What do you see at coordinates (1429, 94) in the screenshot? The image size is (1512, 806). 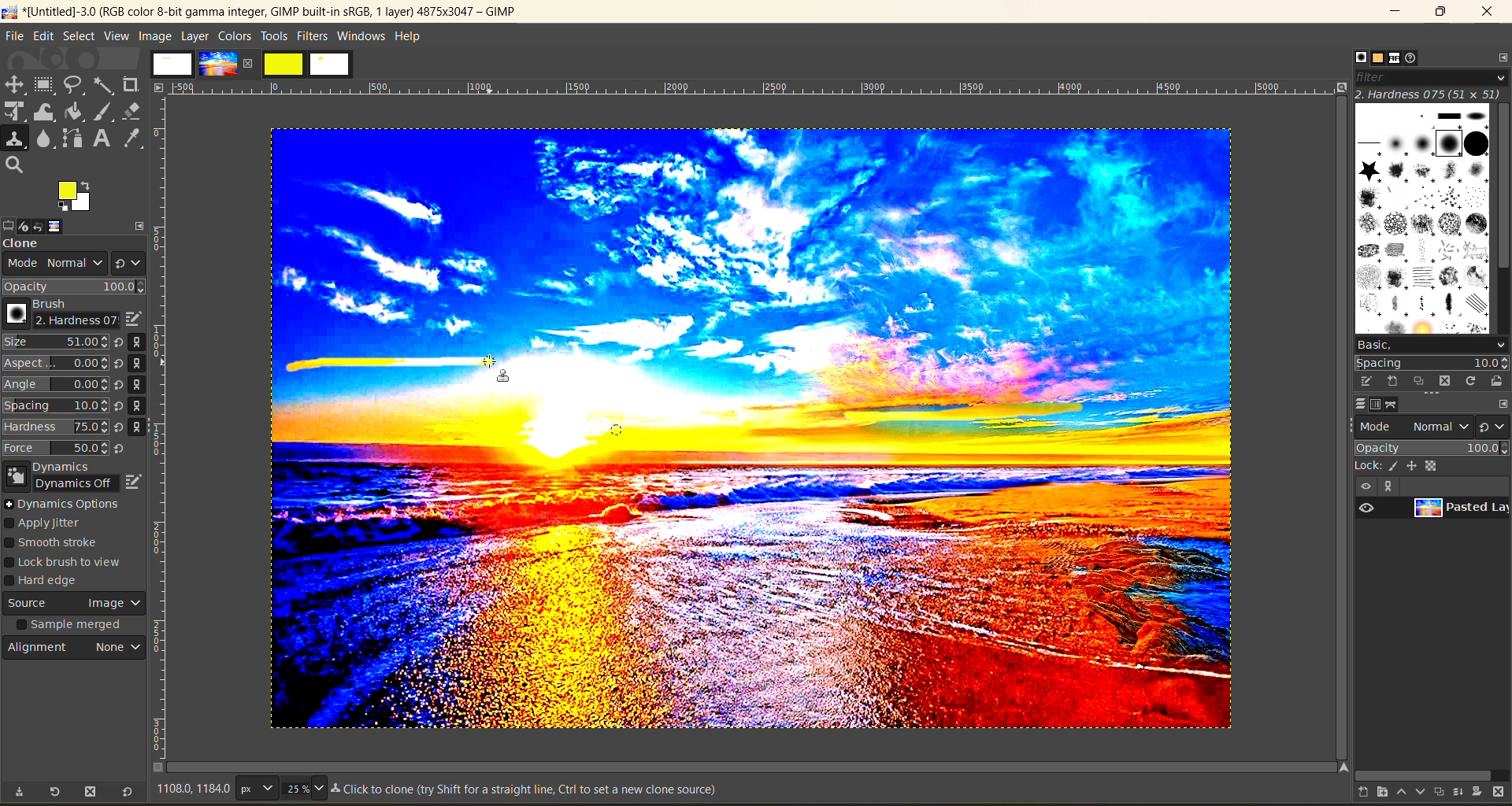 I see `hardness` at bounding box center [1429, 94].